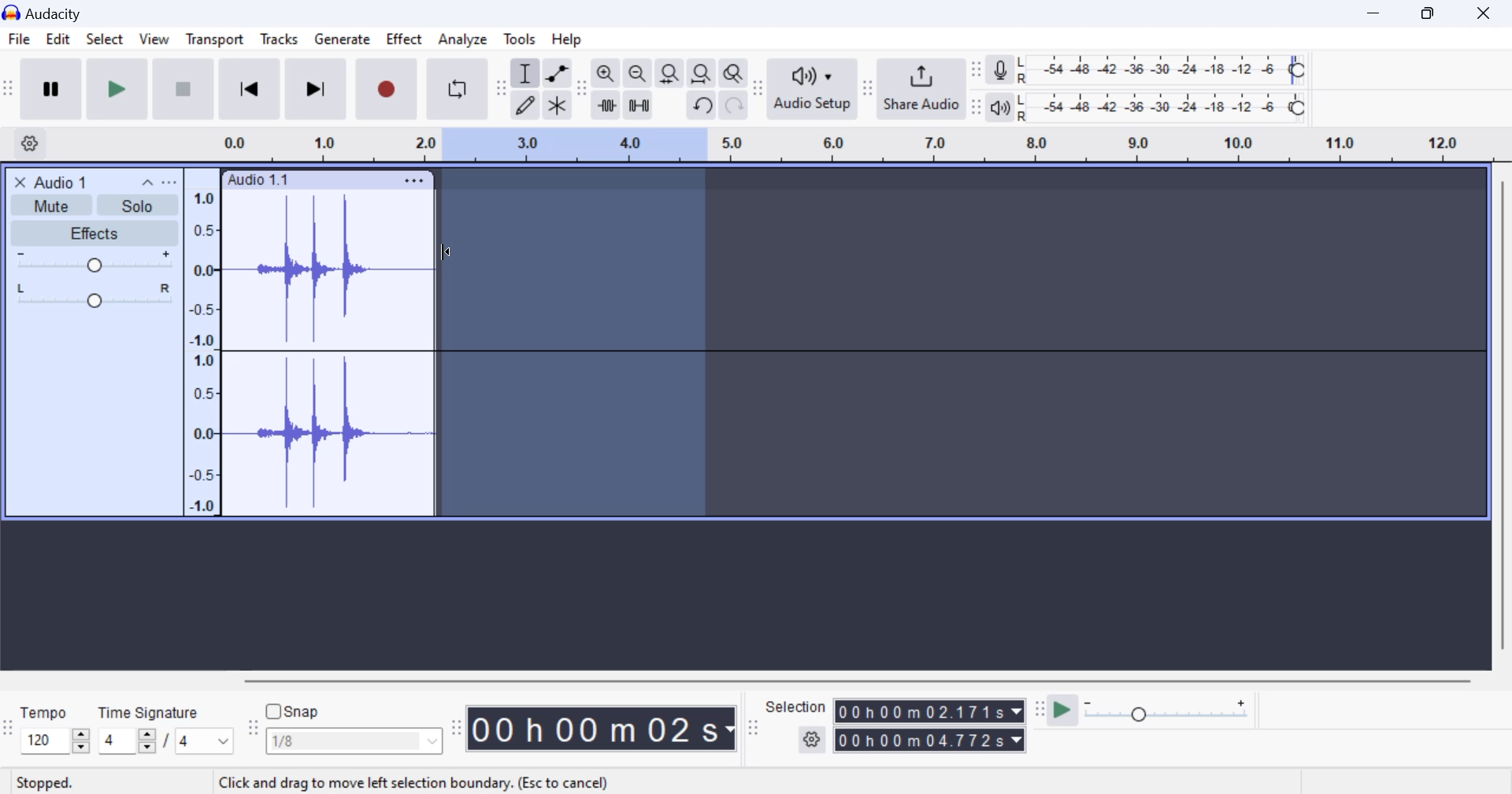 This screenshot has width=1512, height=794. Describe the element at coordinates (605, 728) in the screenshot. I see `Clip Length` at that location.